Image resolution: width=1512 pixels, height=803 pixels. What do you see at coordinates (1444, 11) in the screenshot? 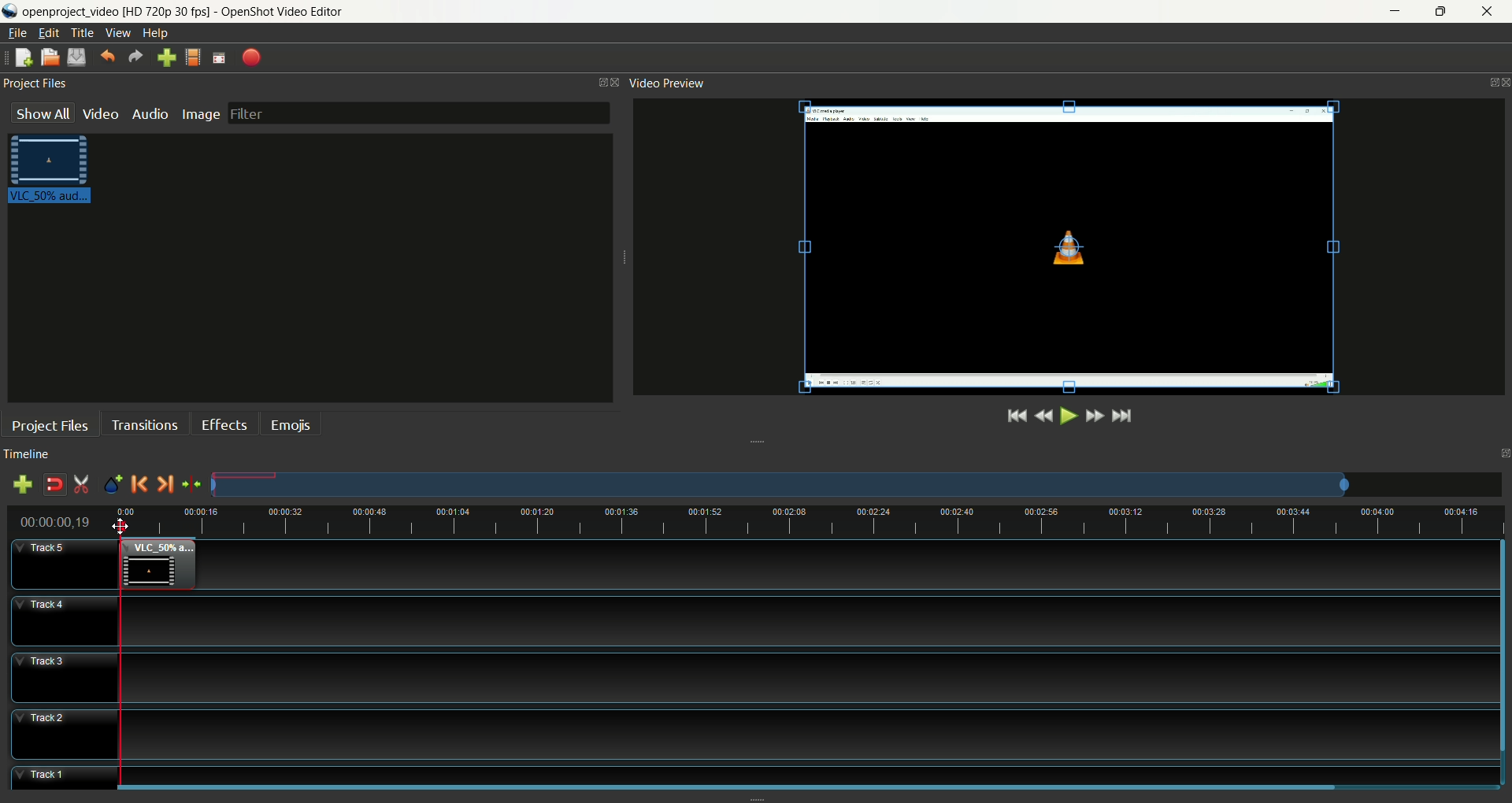
I see `maximize` at bounding box center [1444, 11].